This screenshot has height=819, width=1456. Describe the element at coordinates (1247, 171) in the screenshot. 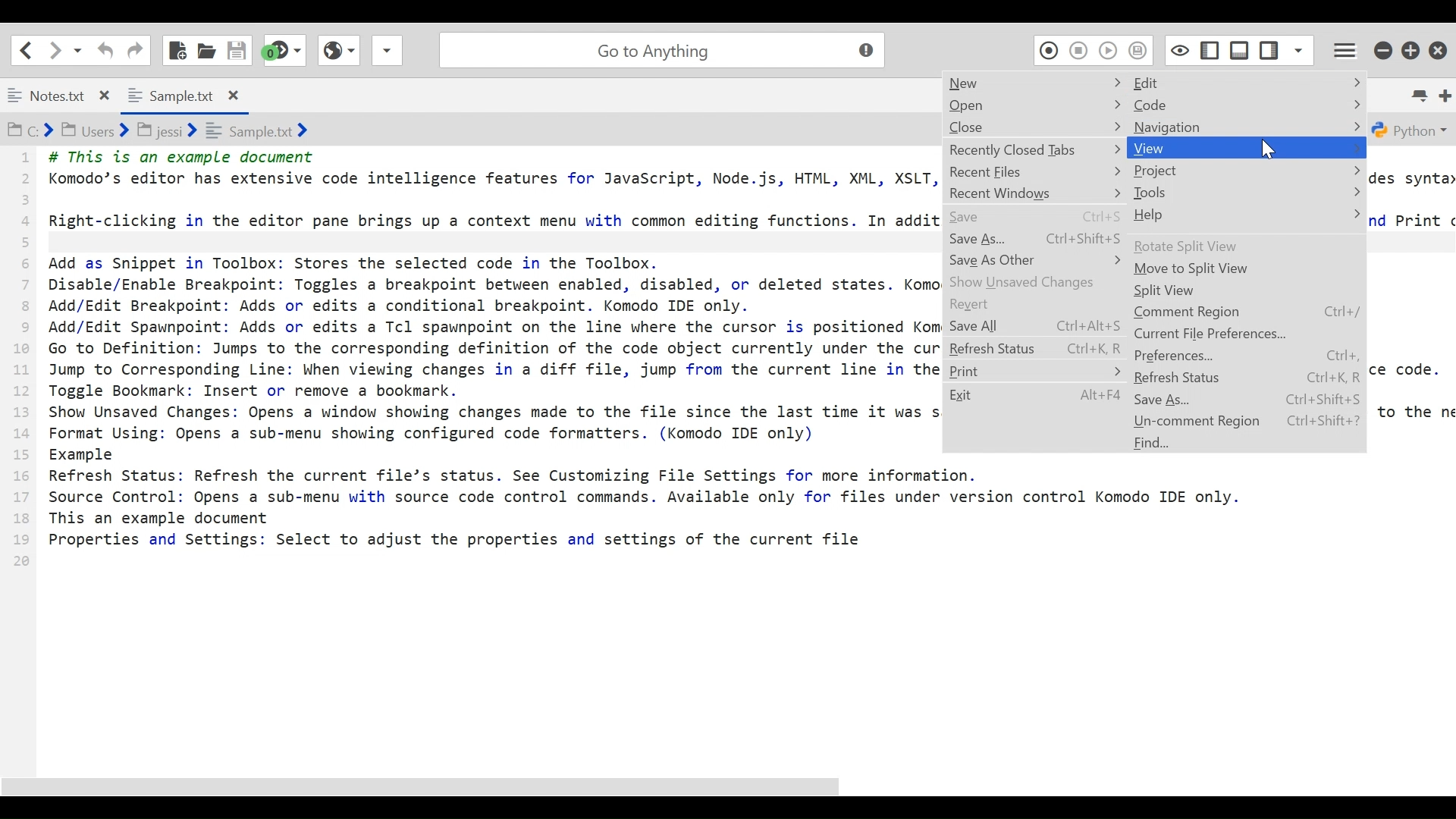

I see `Project` at that location.